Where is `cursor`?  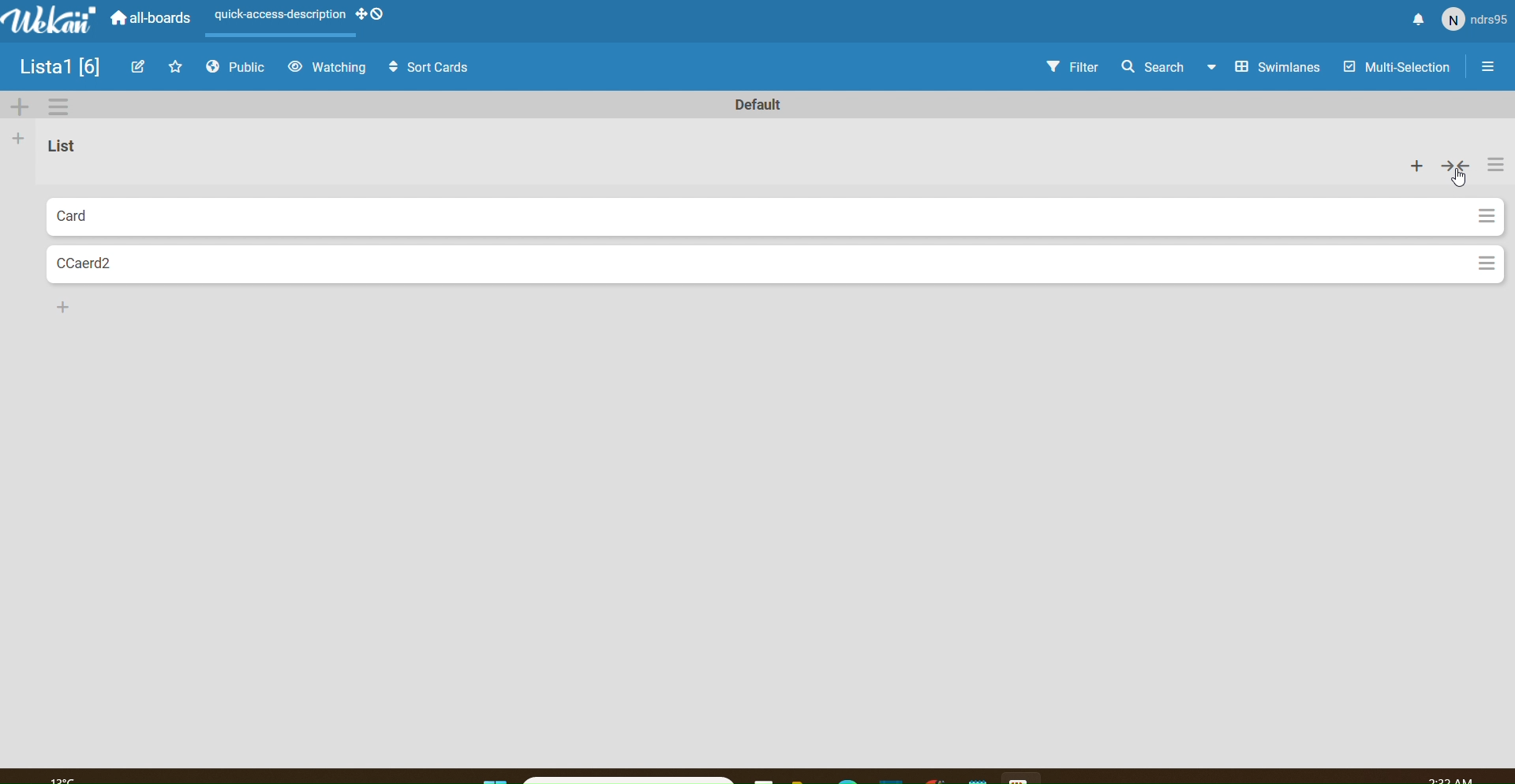
cursor is located at coordinates (1457, 180).